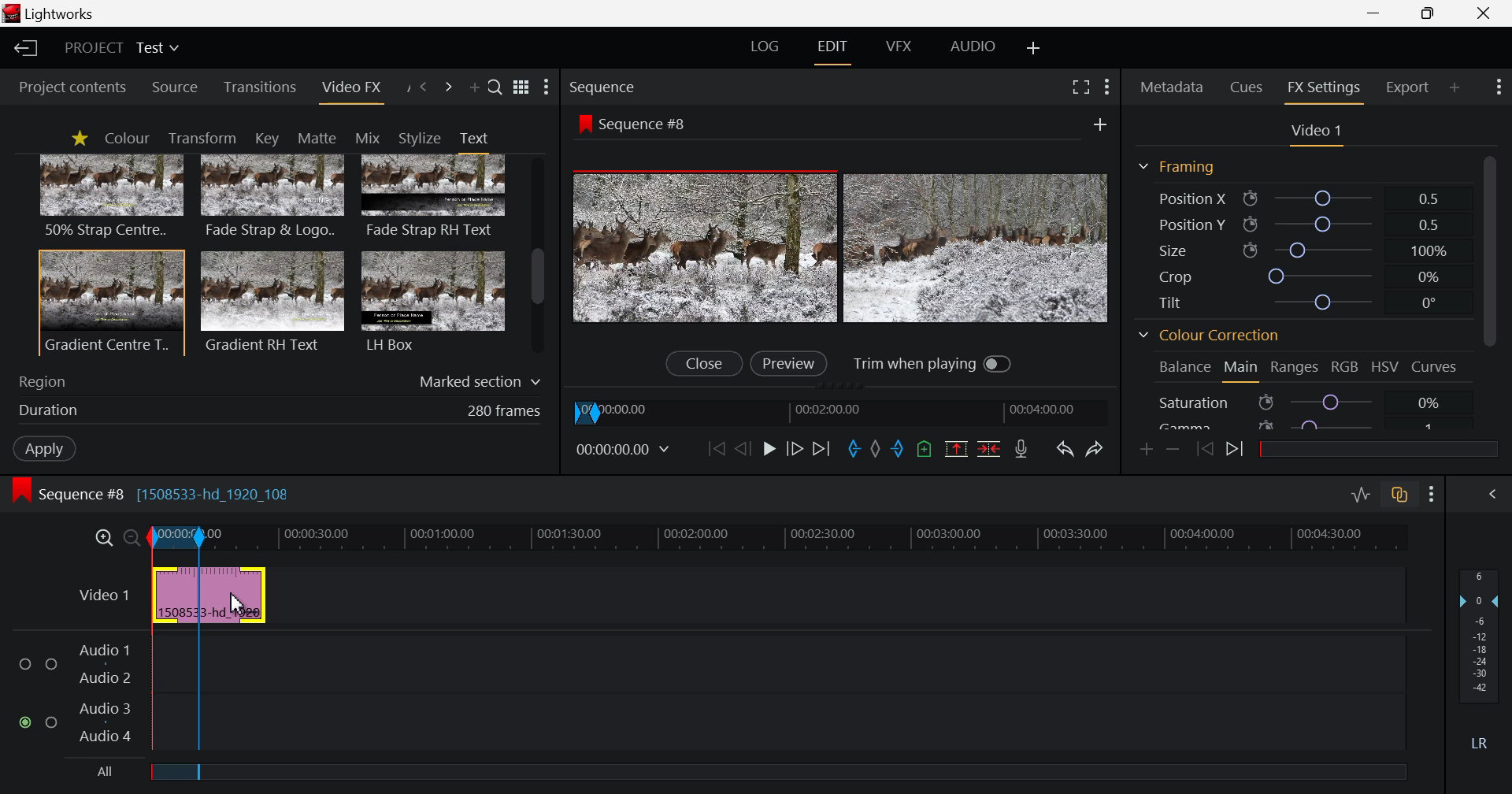  Describe the element at coordinates (1214, 338) in the screenshot. I see `Colour Correction` at that location.